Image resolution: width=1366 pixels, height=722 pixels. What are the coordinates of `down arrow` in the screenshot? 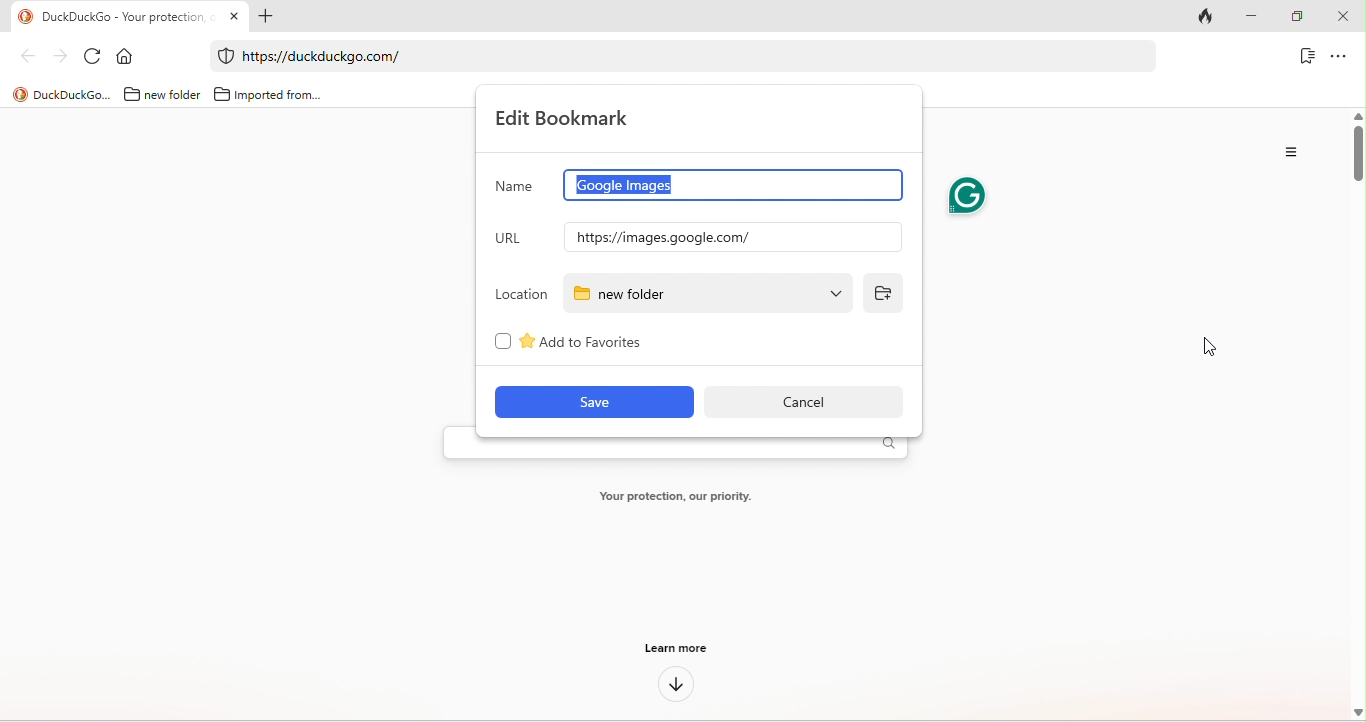 It's located at (675, 687).